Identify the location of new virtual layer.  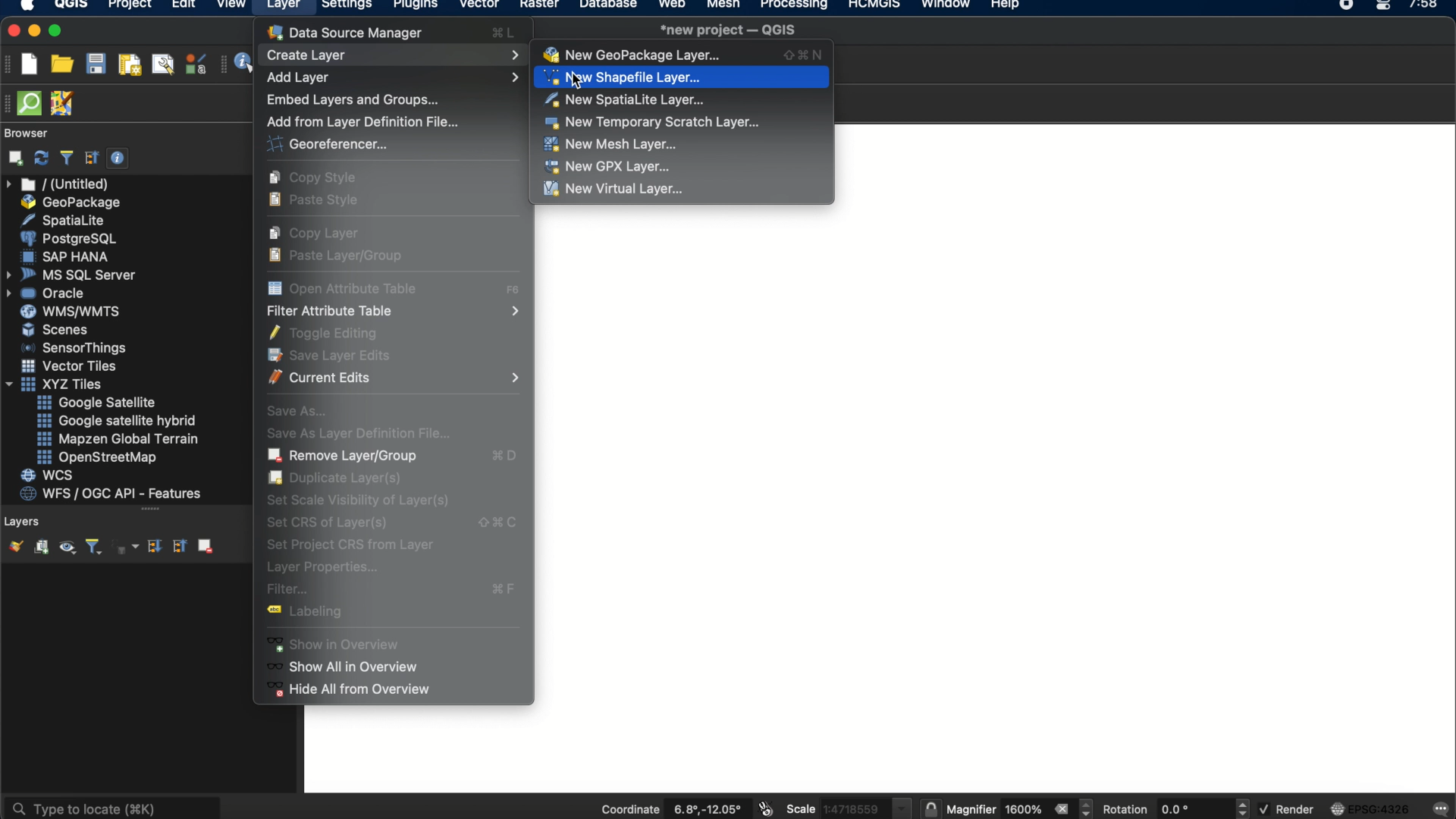
(611, 190).